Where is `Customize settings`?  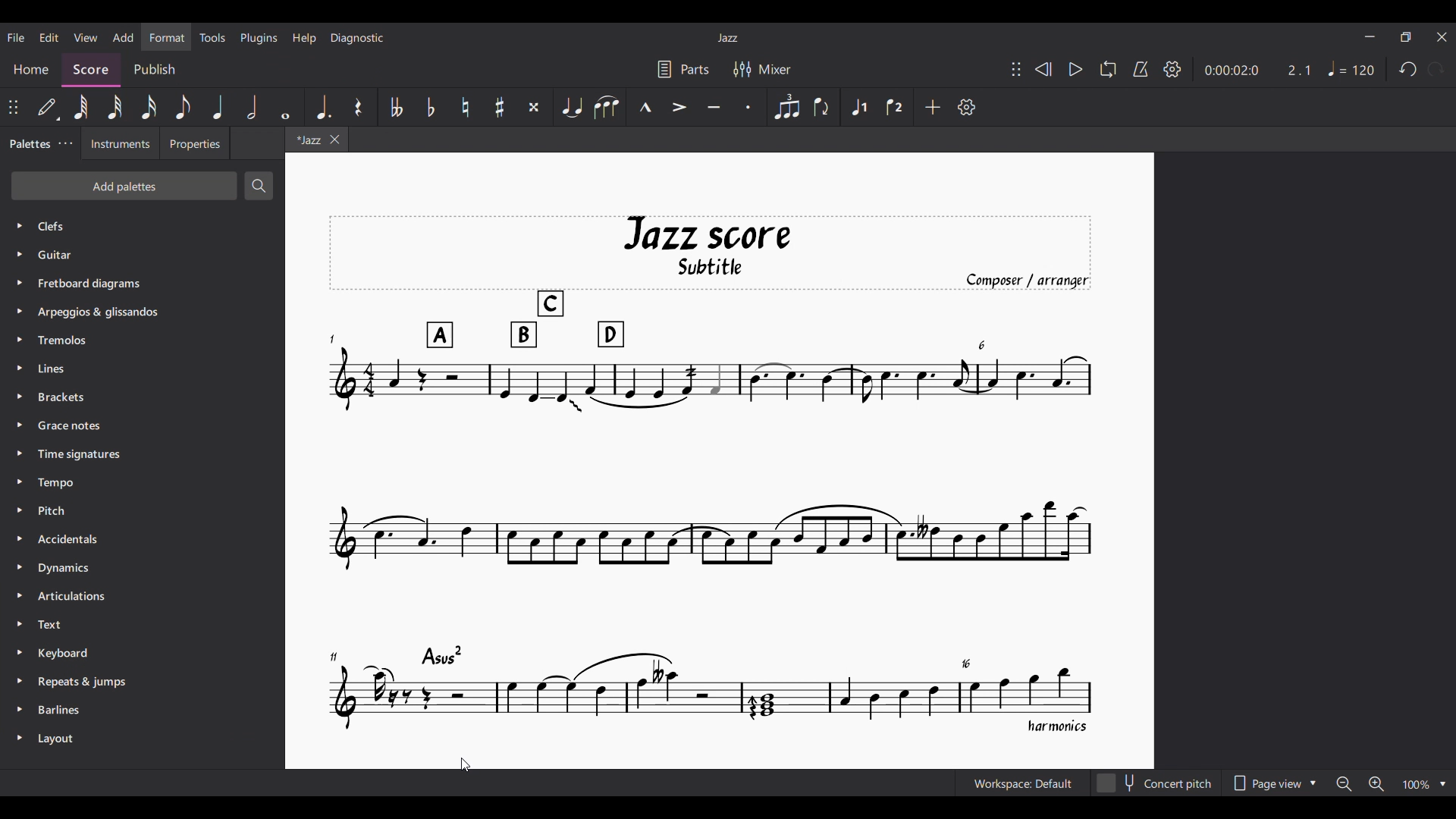 Customize settings is located at coordinates (966, 107).